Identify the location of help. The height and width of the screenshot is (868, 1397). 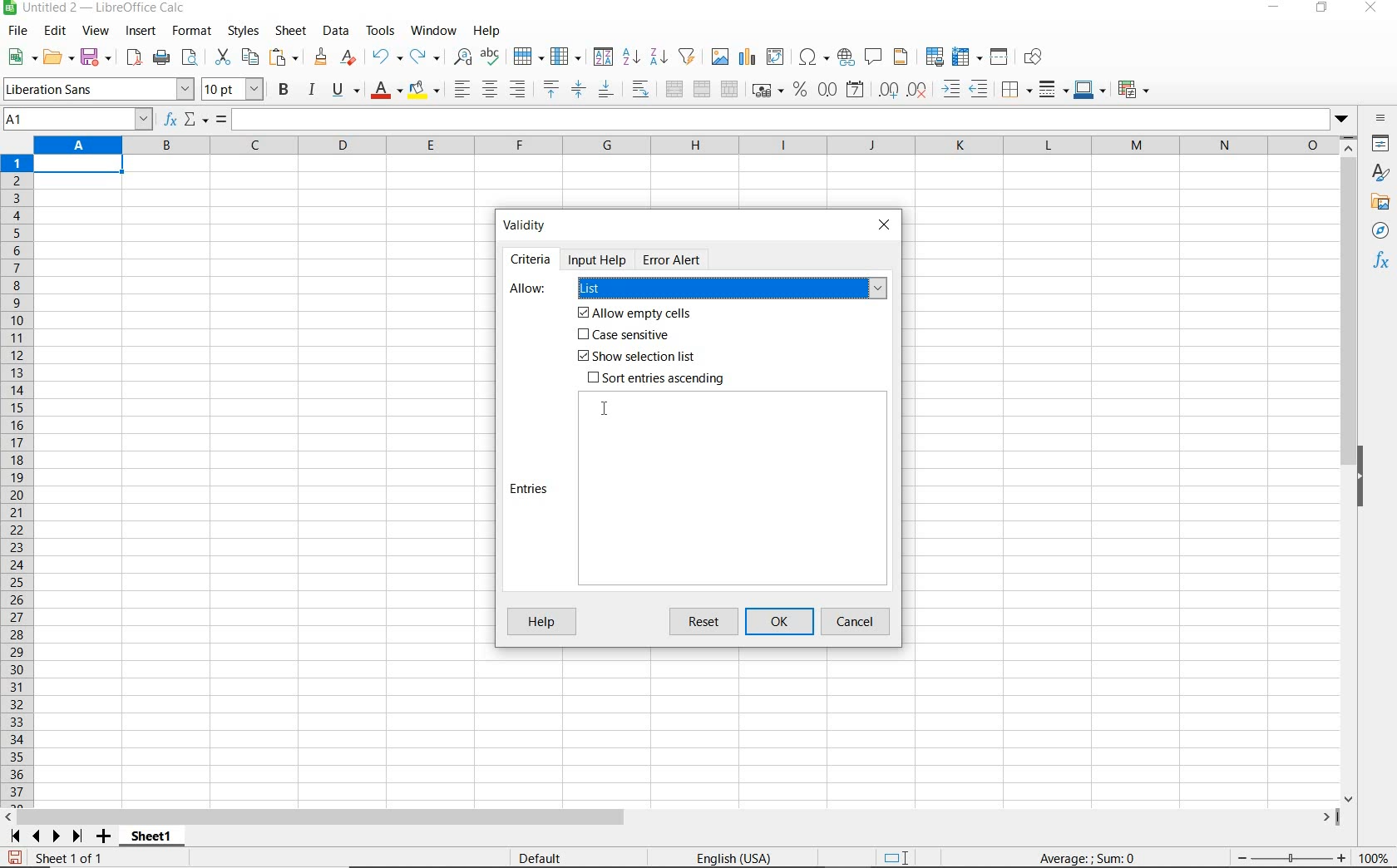
(541, 621).